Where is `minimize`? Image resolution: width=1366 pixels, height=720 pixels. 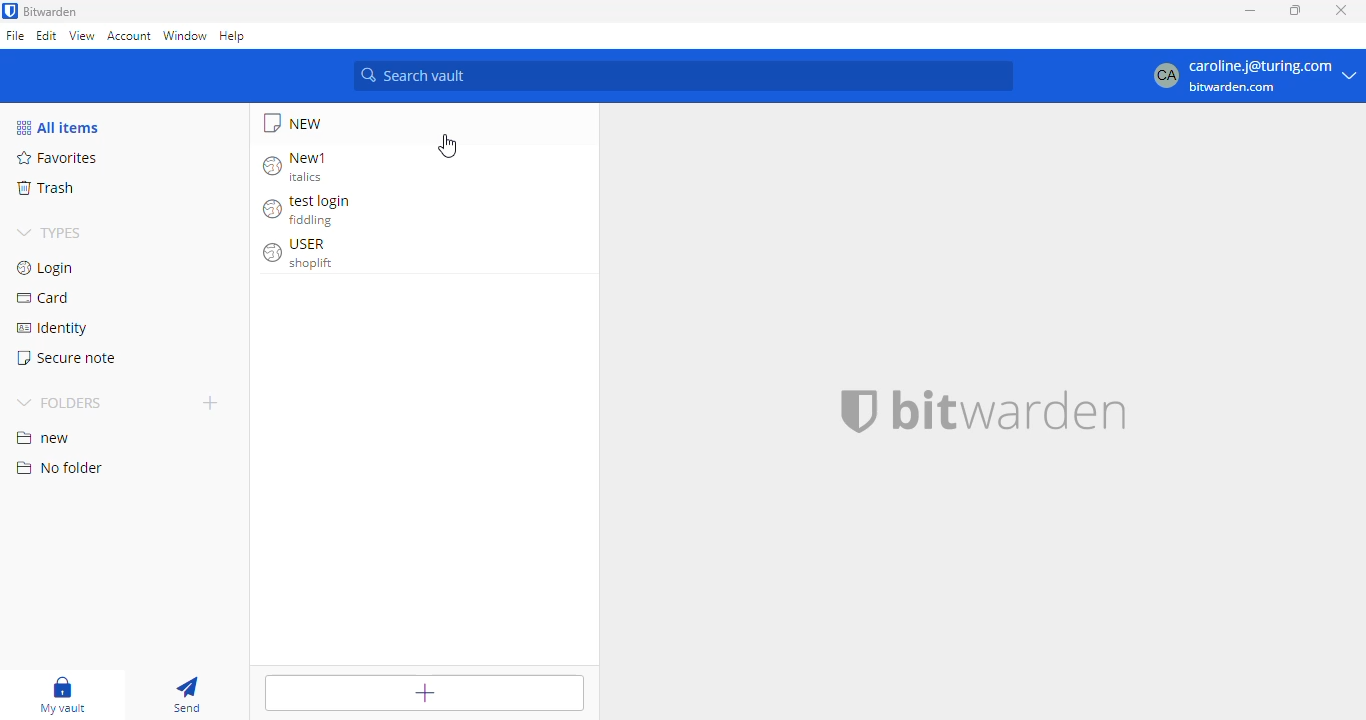
minimize is located at coordinates (1250, 10).